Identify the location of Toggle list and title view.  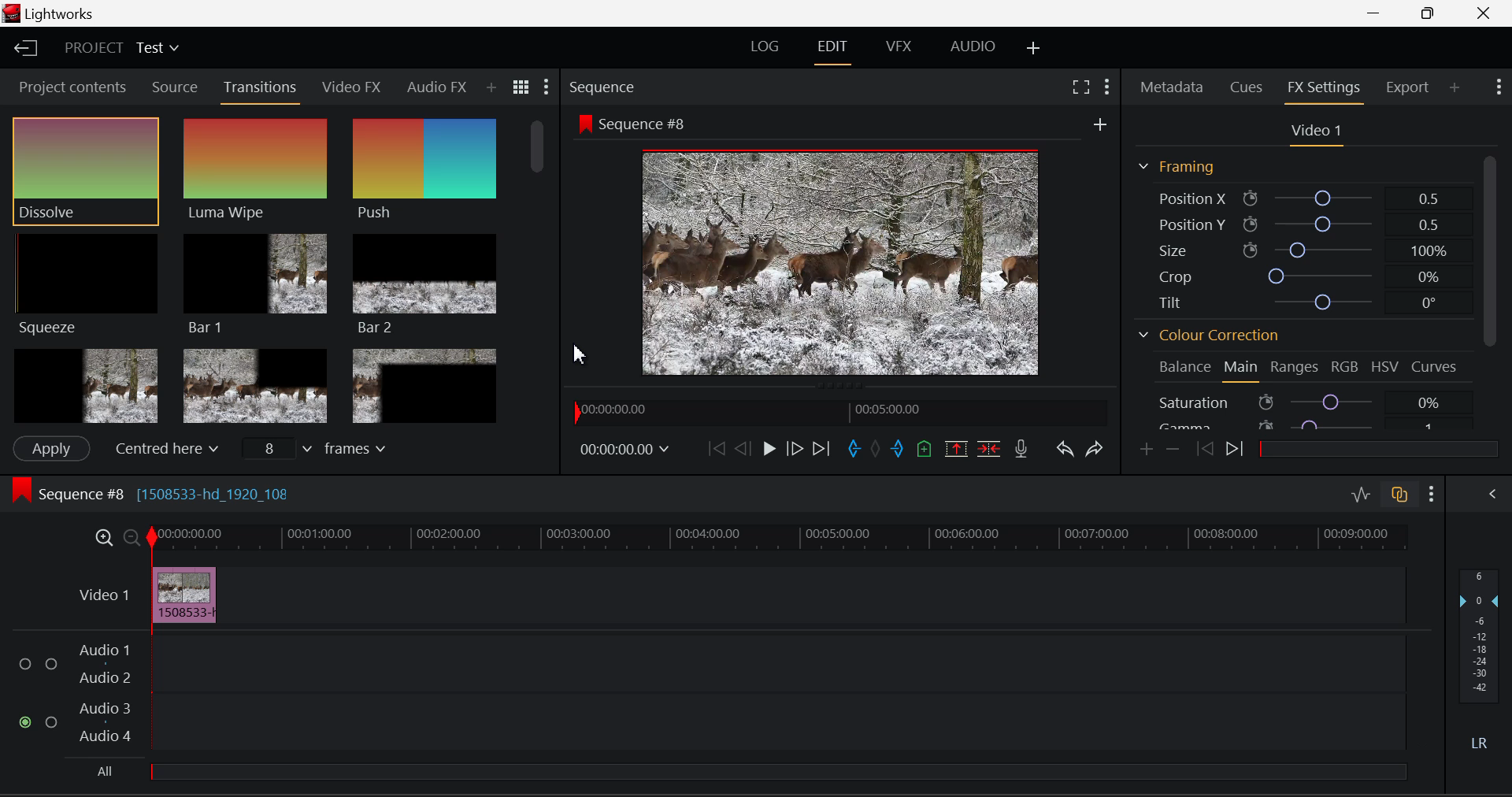
(521, 86).